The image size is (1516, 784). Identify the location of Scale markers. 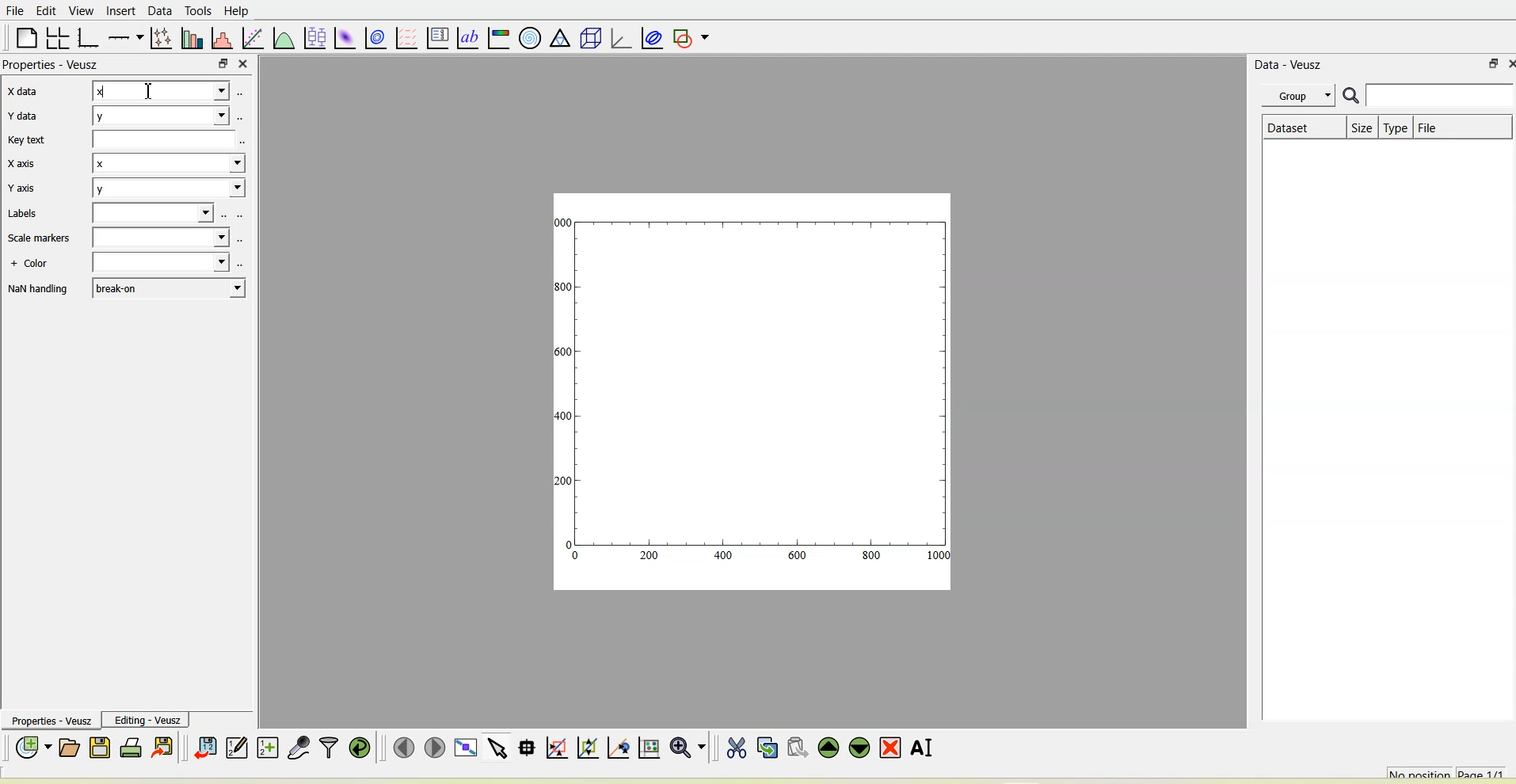
(42, 238).